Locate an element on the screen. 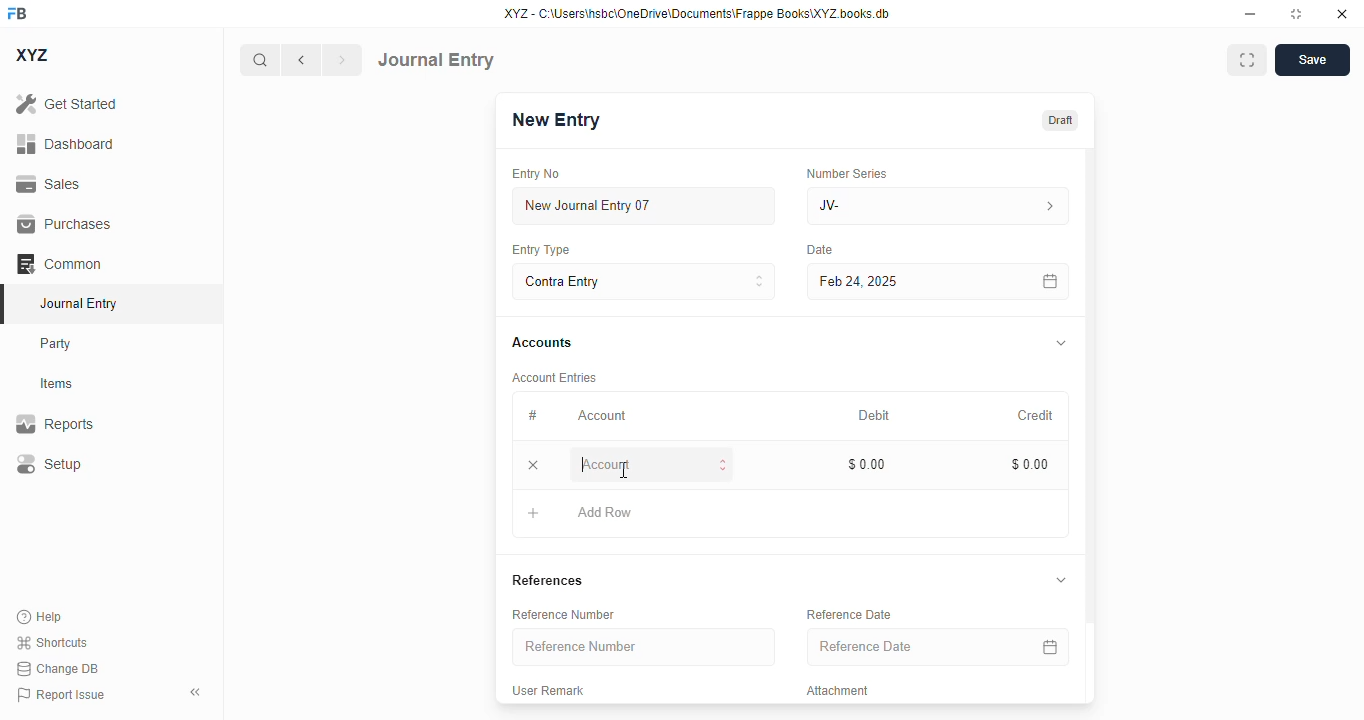 The width and height of the screenshot is (1364, 720). reference date is located at coordinates (899, 647).